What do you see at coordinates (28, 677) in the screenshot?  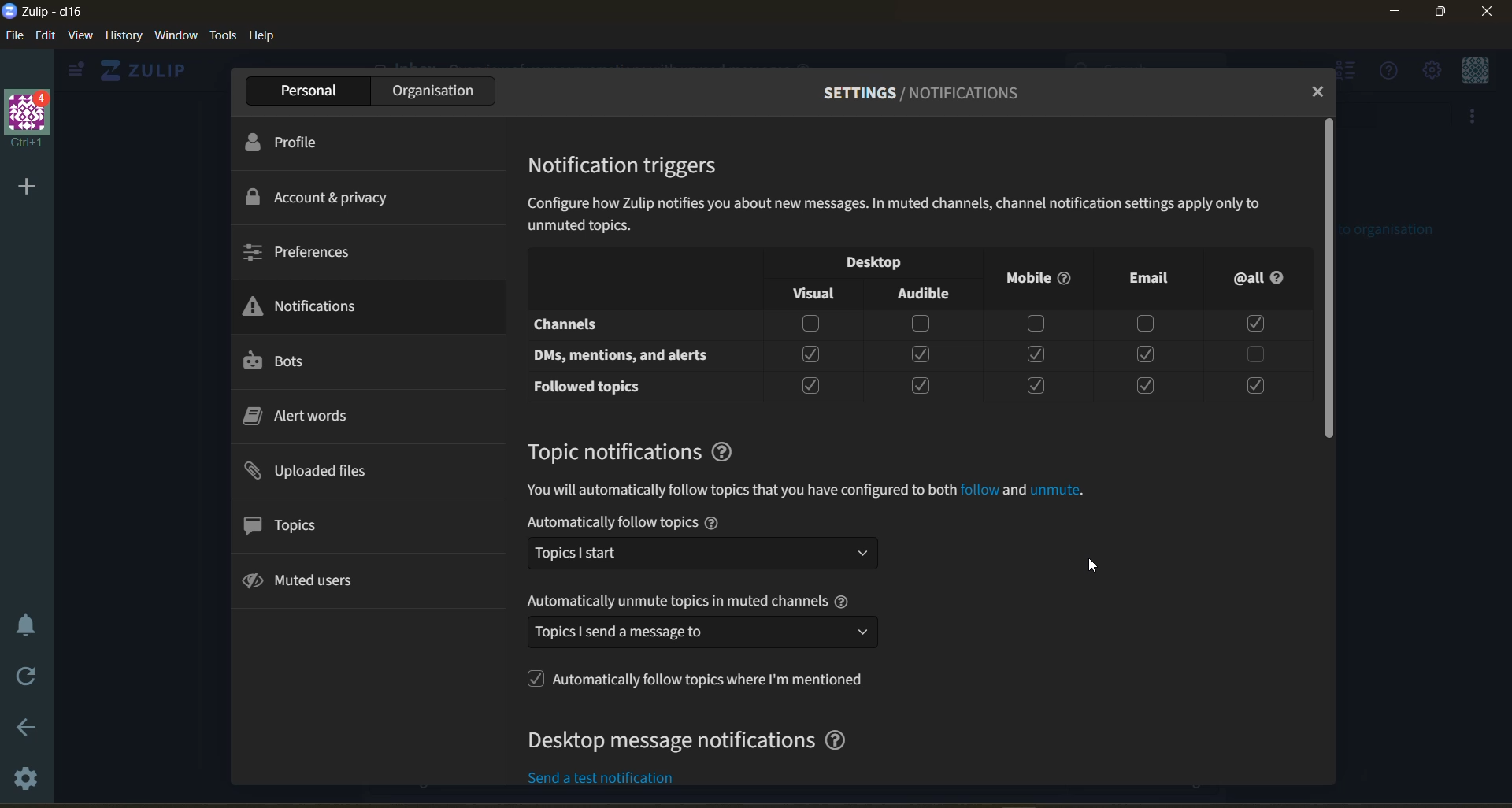 I see `reload` at bounding box center [28, 677].